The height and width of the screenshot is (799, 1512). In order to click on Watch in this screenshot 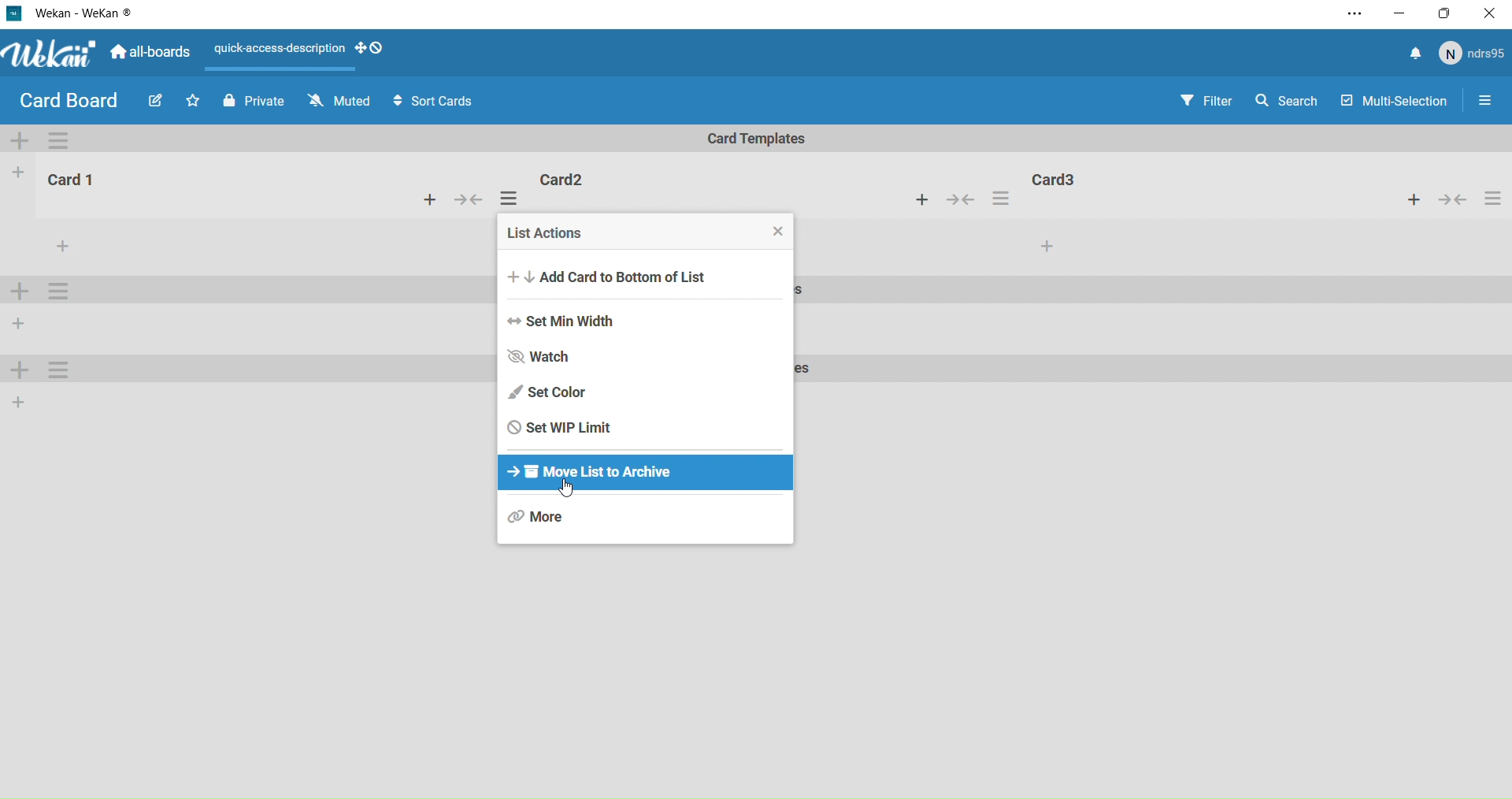, I will do `click(556, 358)`.